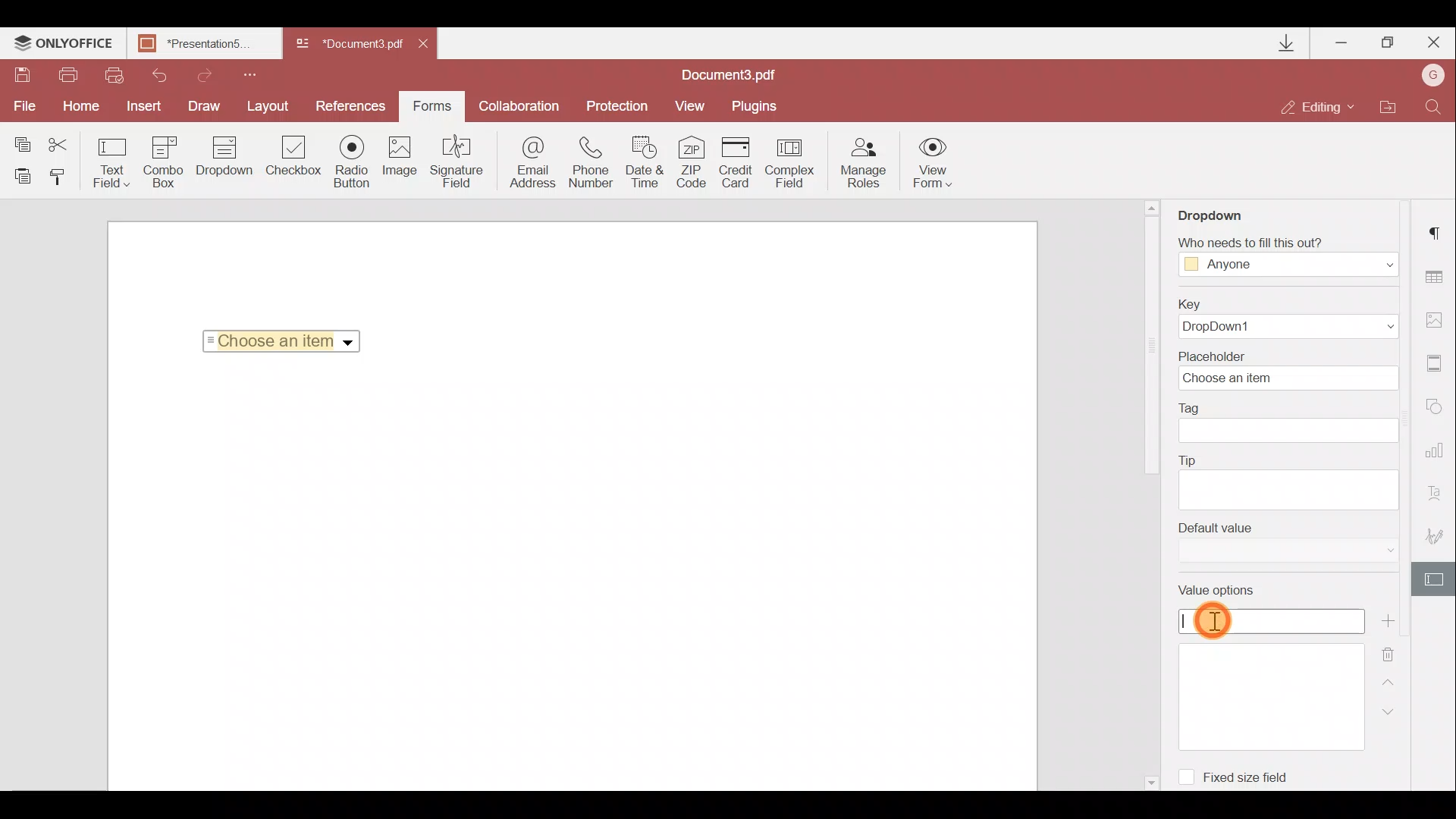 Image resolution: width=1456 pixels, height=819 pixels. I want to click on Presentation5, so click(201, 45).